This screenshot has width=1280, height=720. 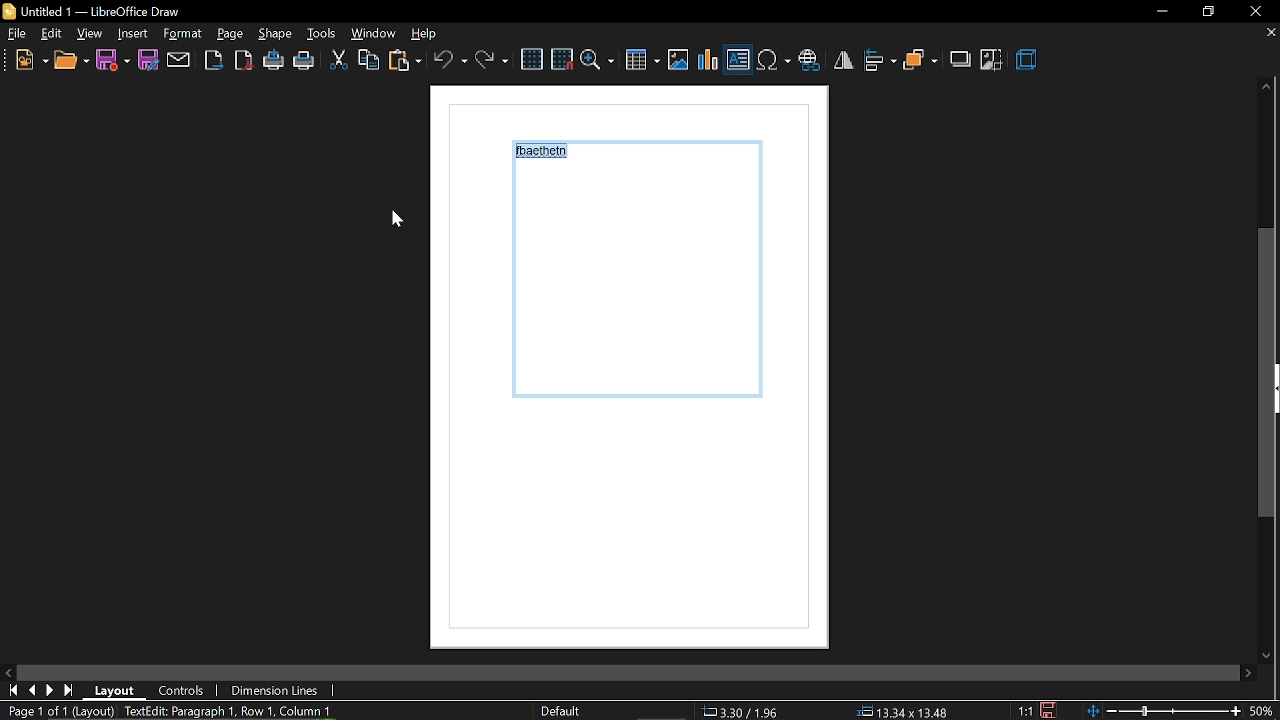 What do you see at coordinates (69, 691) in the screenshot?
I see `go to last page` at bounding box center [69, 691].